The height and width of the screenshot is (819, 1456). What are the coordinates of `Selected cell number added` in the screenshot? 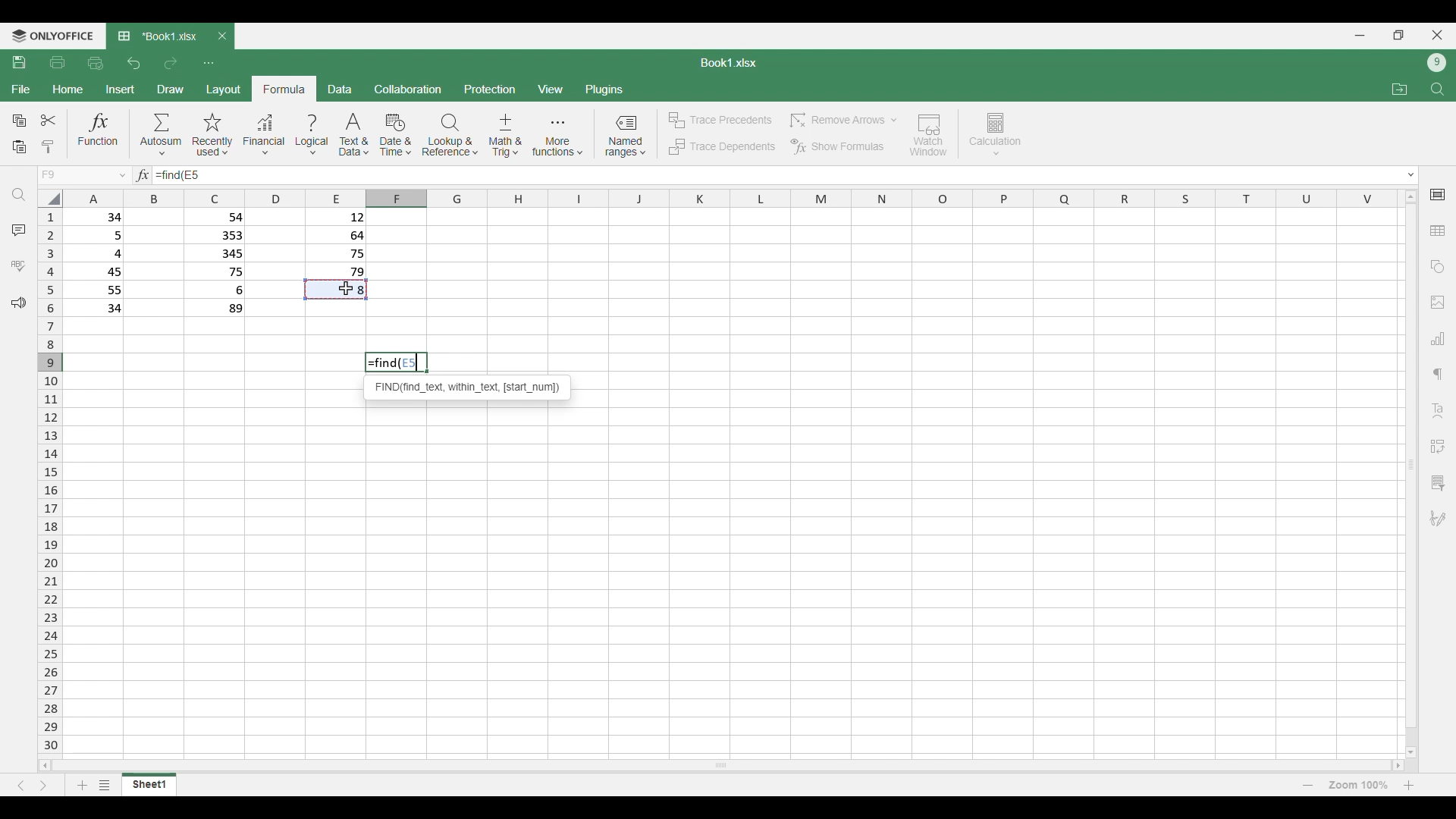 It's located at (192, 174).